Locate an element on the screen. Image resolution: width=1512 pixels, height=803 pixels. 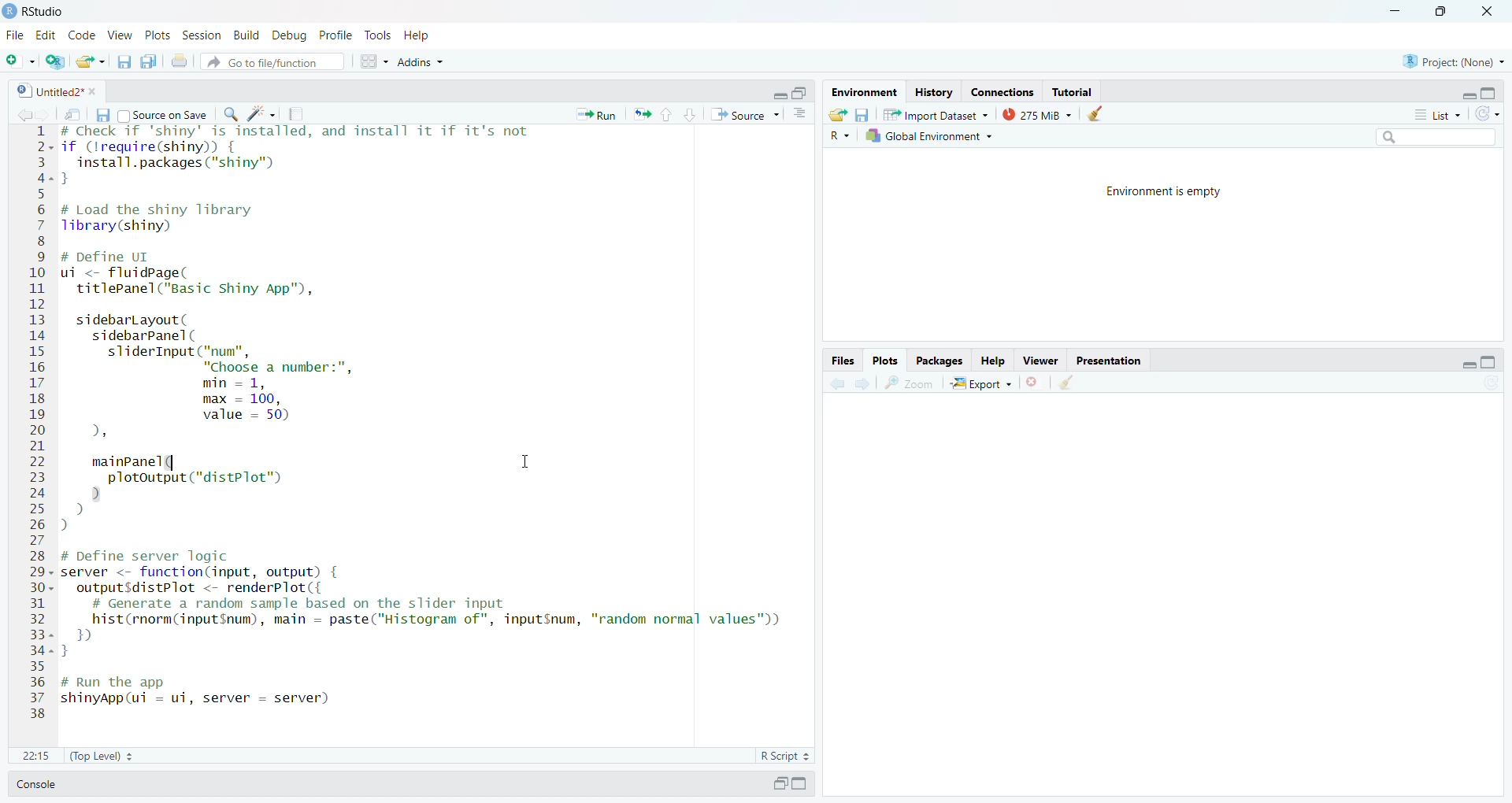
clear is located at coordinates (1066, 381).